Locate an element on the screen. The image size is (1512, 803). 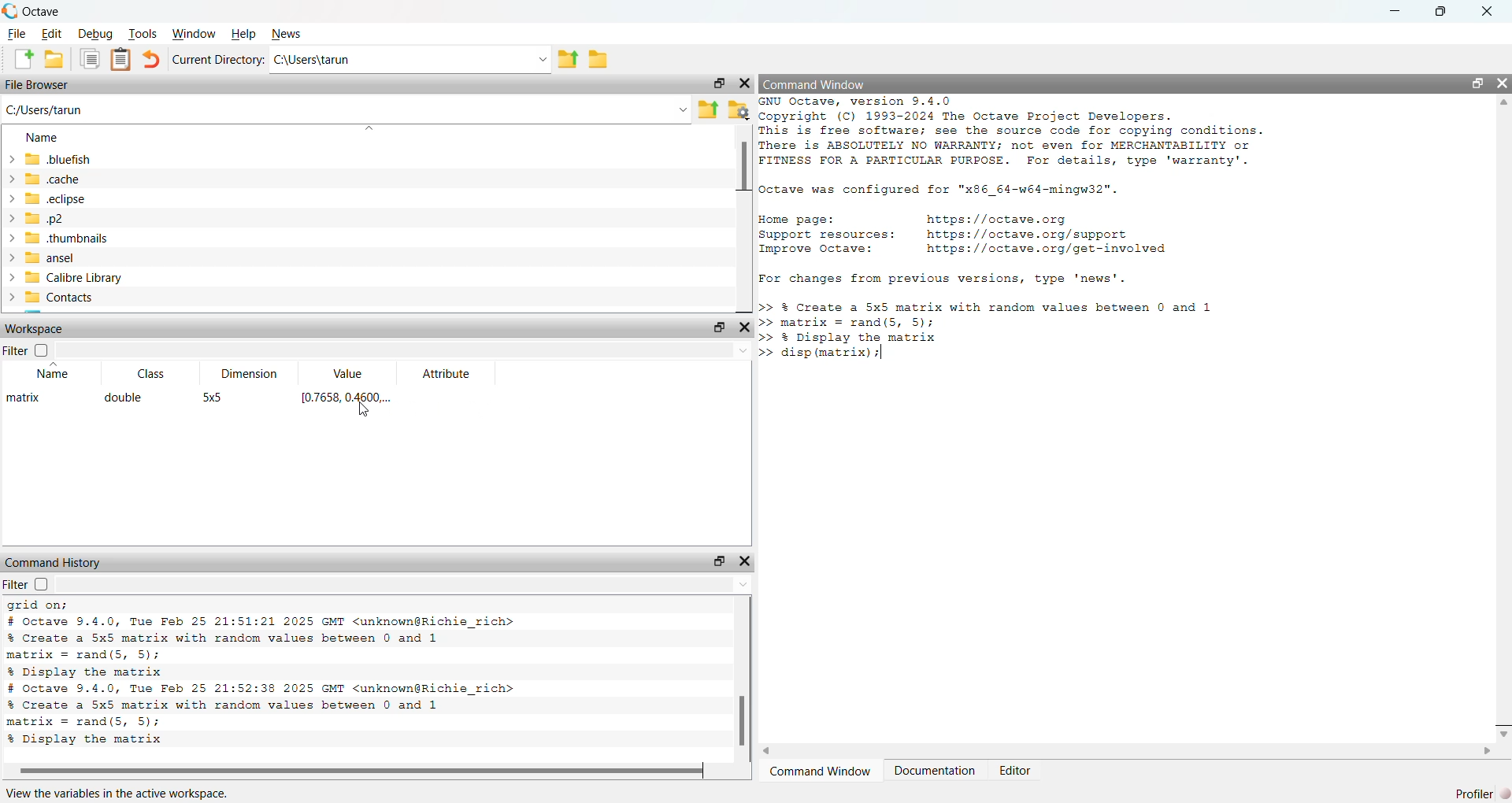
Dimension is located at coordinates (243, 368).